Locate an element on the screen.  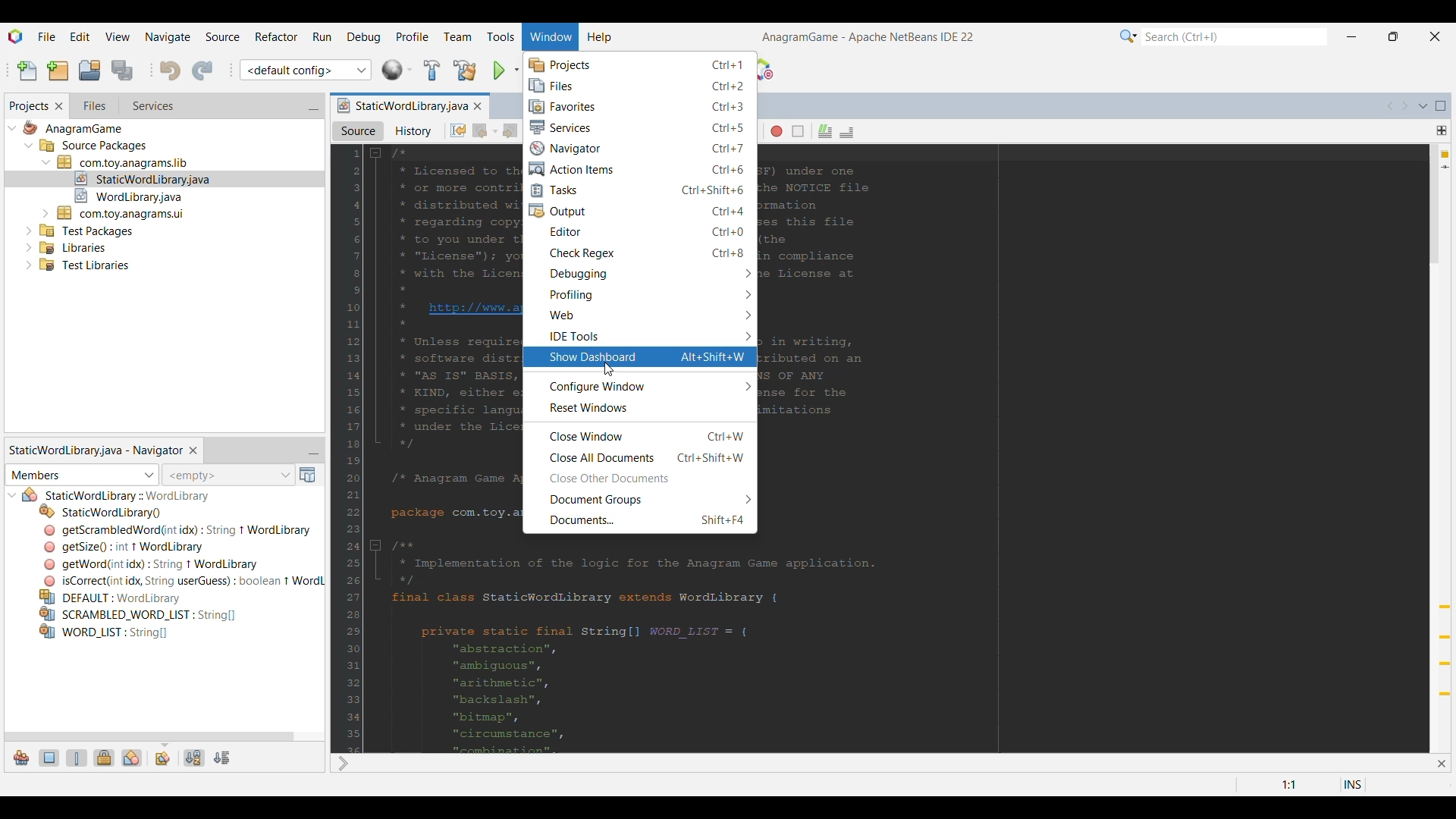
View menu is located at coordinates (118, 36).